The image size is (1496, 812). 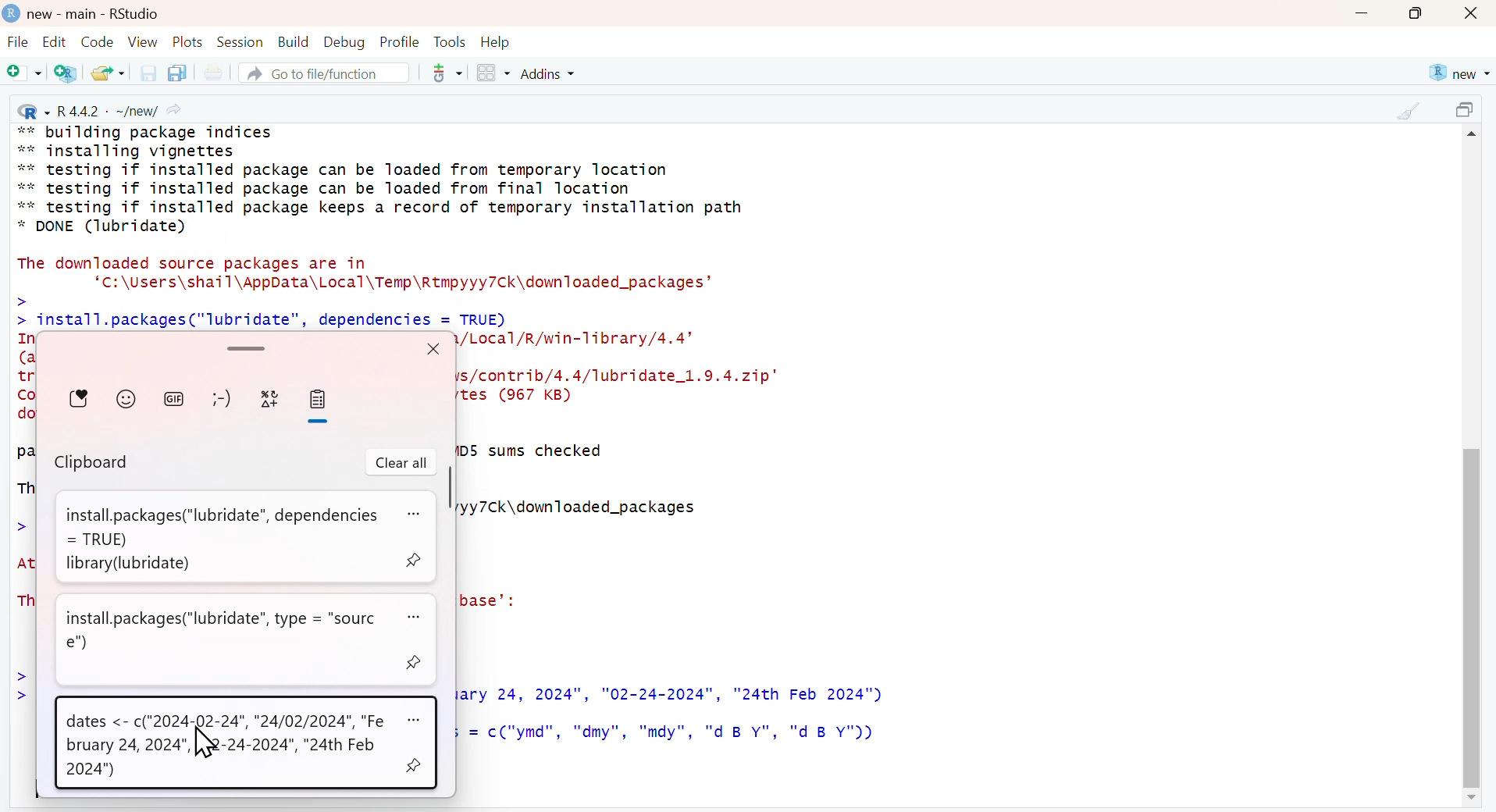 What do you see at coordinates (1361, 15) in the screenshot?
I see `minimize` at bounding box center [1361, 15].